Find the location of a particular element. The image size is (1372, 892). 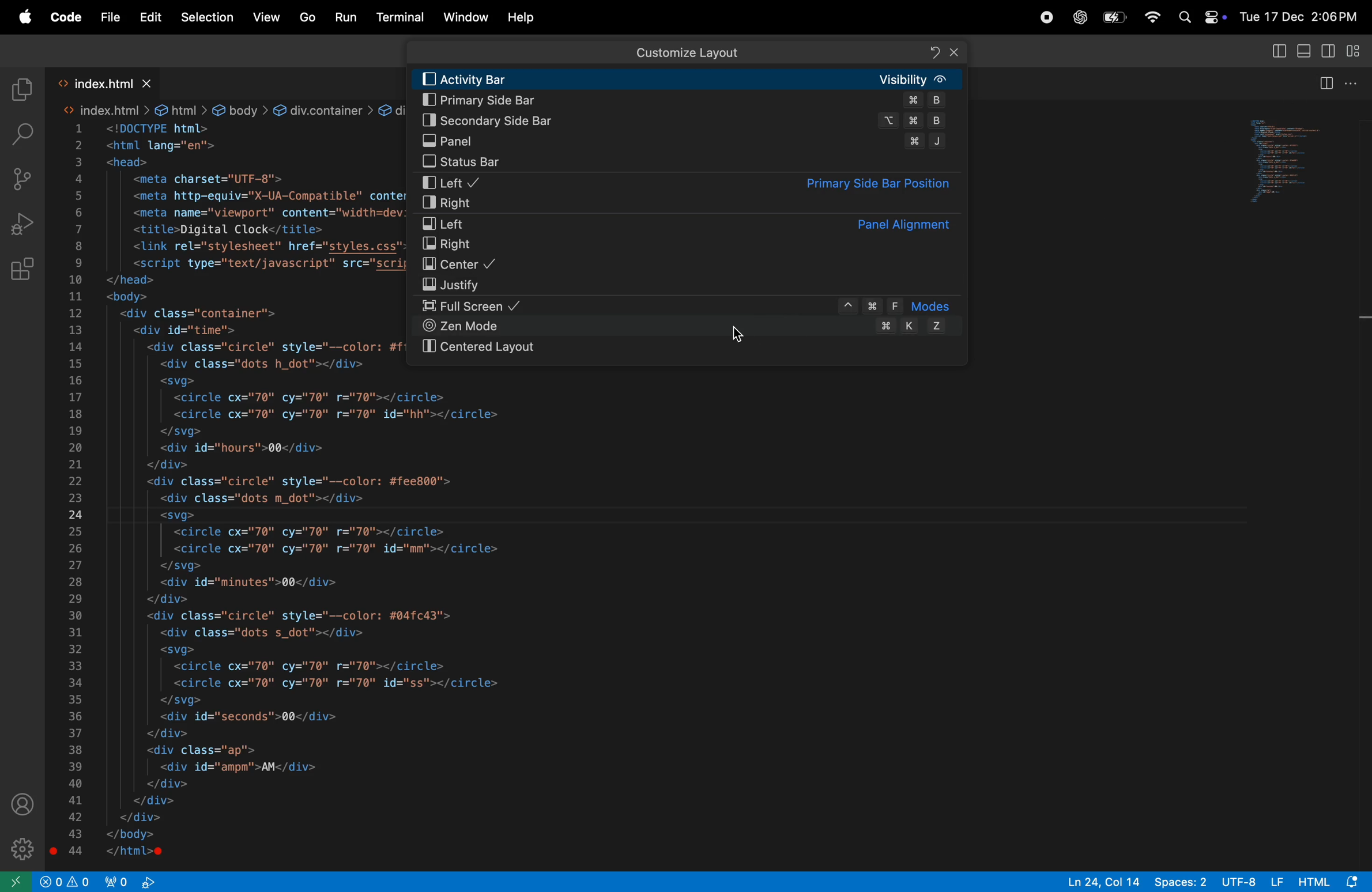

panel is located at coordinates (685, 141).